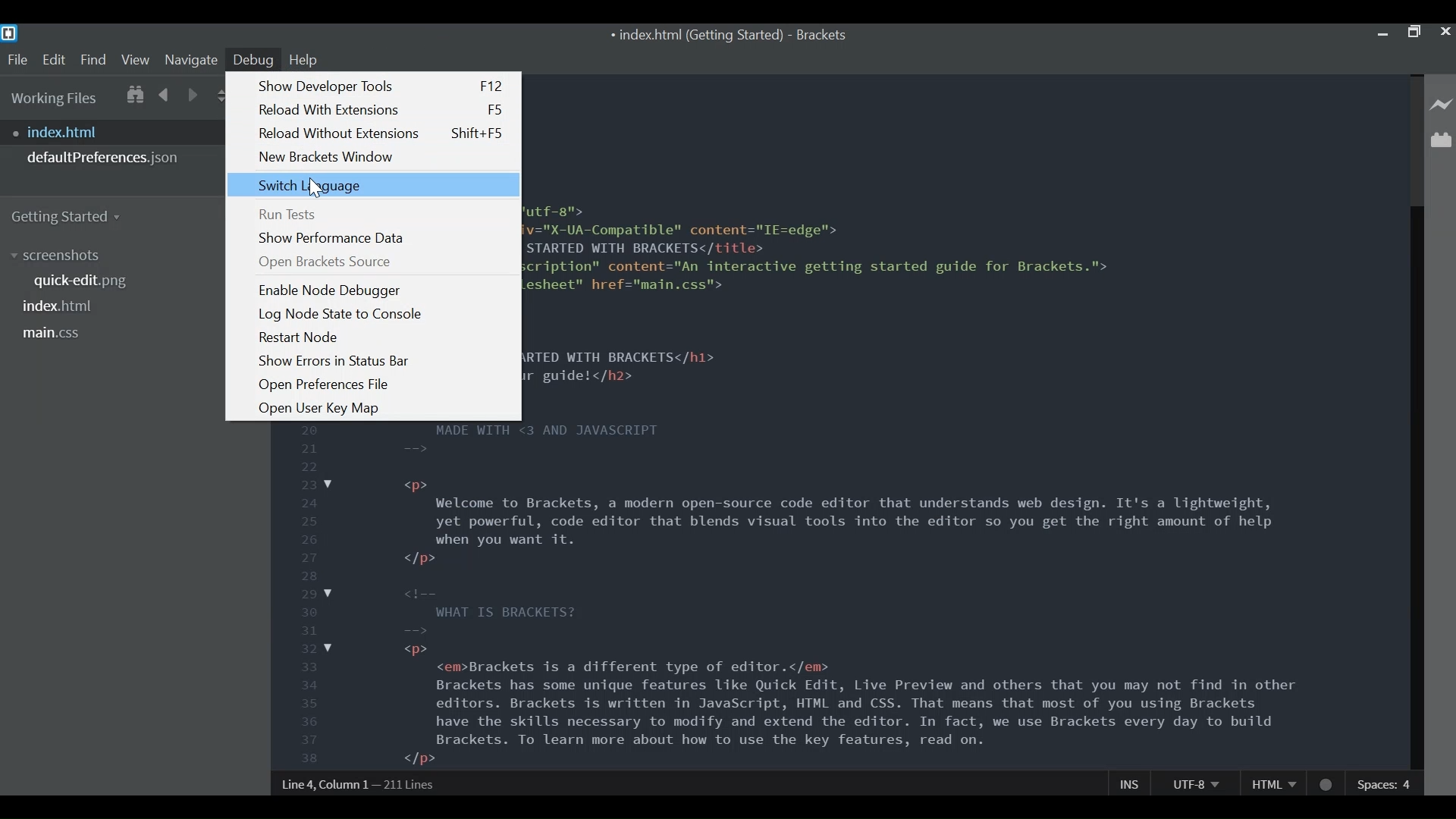 This screenshot has height=819, width=1456. Describe the element at coordinates (317, 190) in the screenshot. I see `Cursor on Switch Language` at that location.